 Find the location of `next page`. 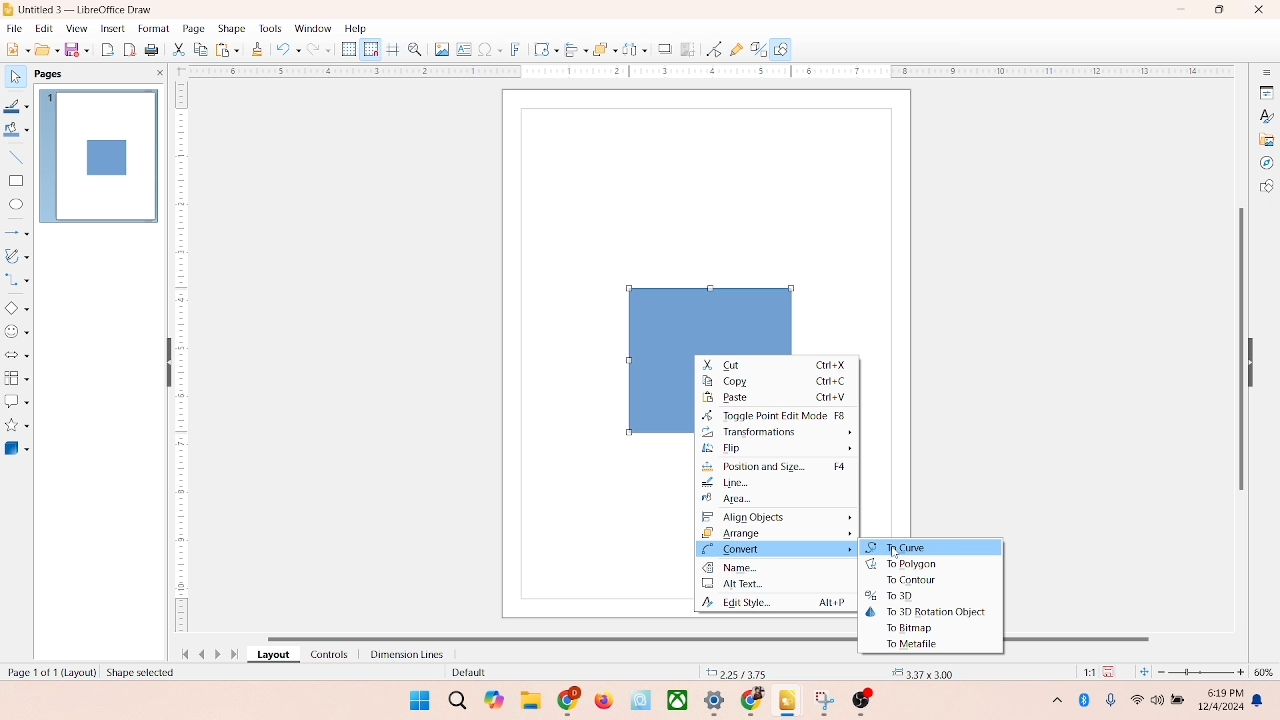

next page is located at coordinates (220, 654).